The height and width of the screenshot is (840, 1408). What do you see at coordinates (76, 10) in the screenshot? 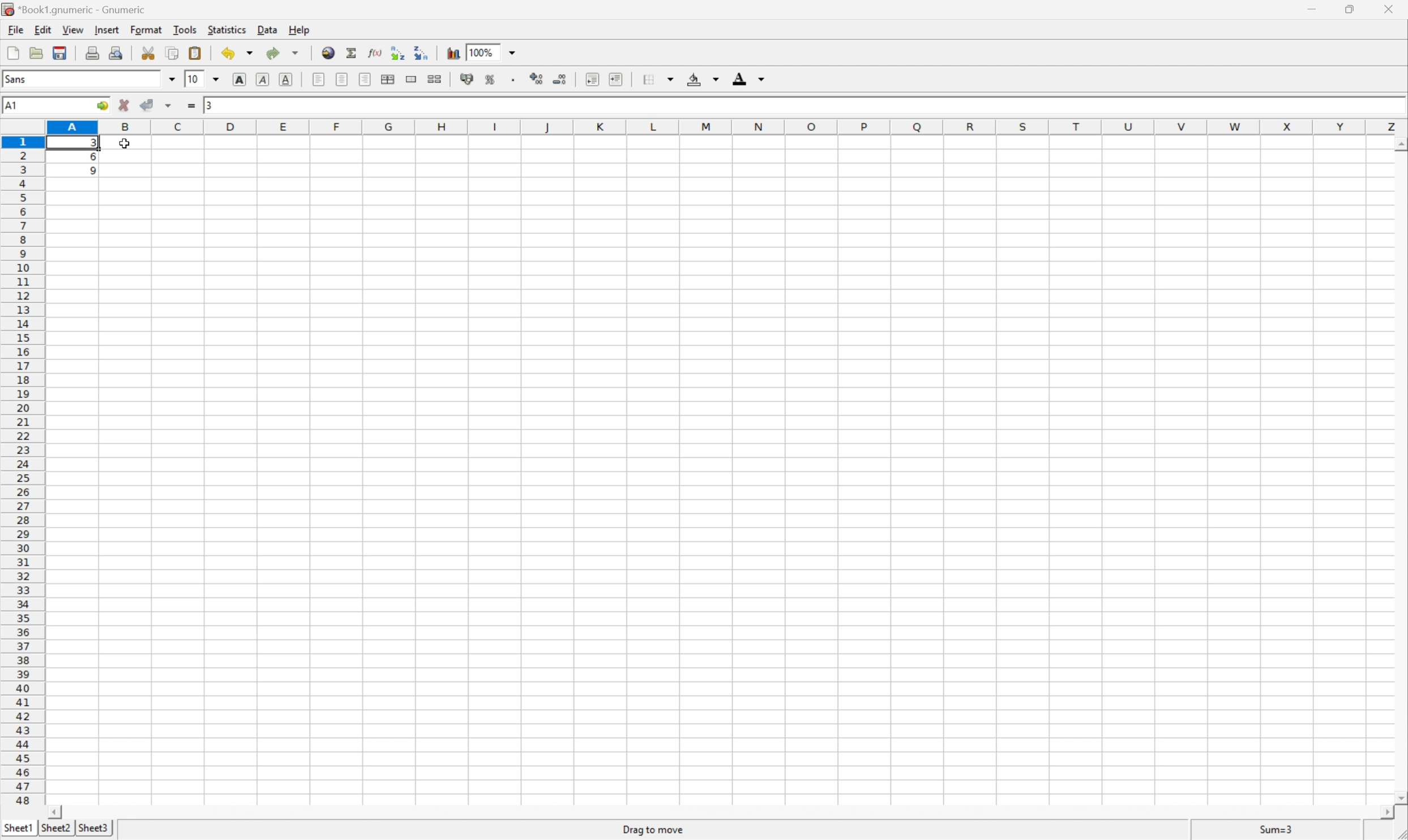
I see `*Book1.gnumeric - Gnumeric` at bounding box center [76, 10].